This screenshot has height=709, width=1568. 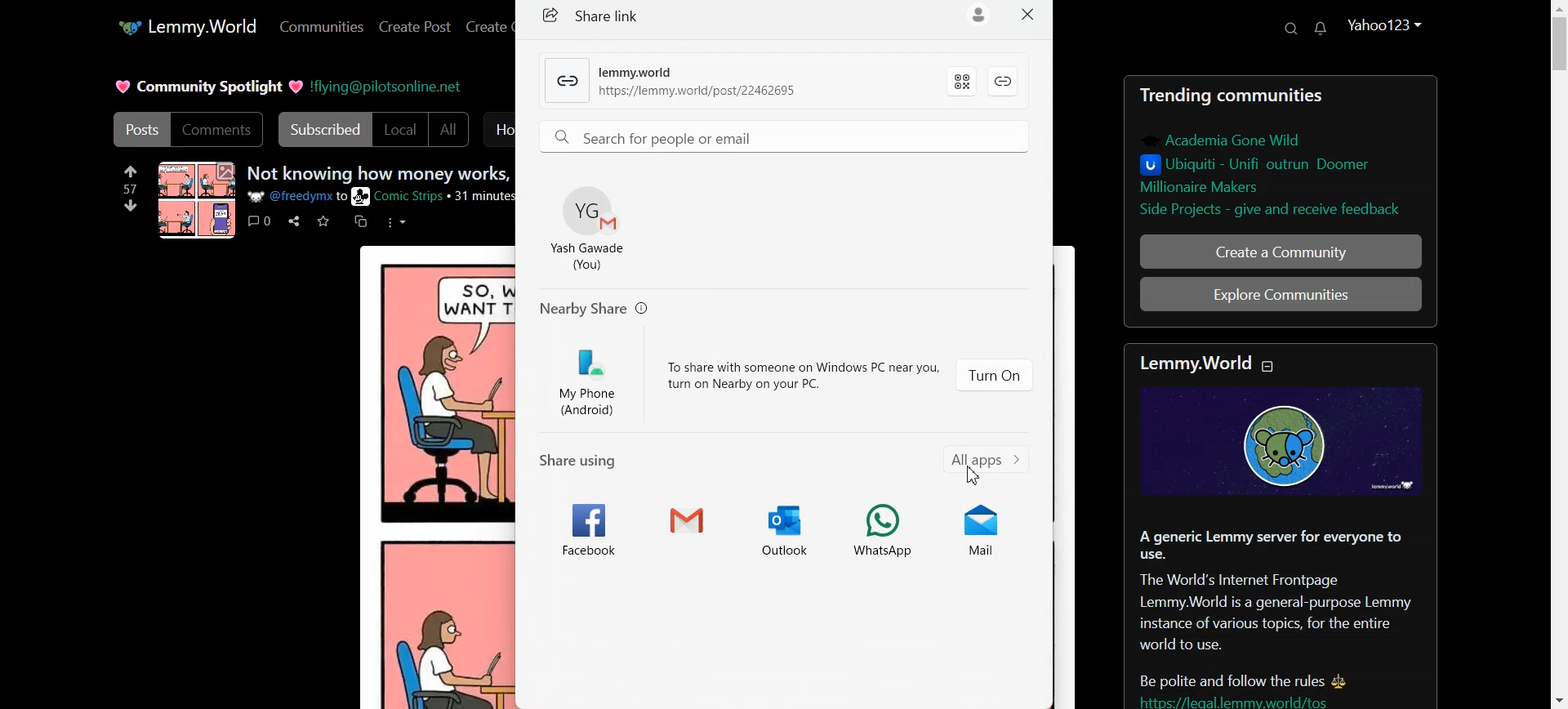 I want to click on Comments, so click(x=258, y=221).